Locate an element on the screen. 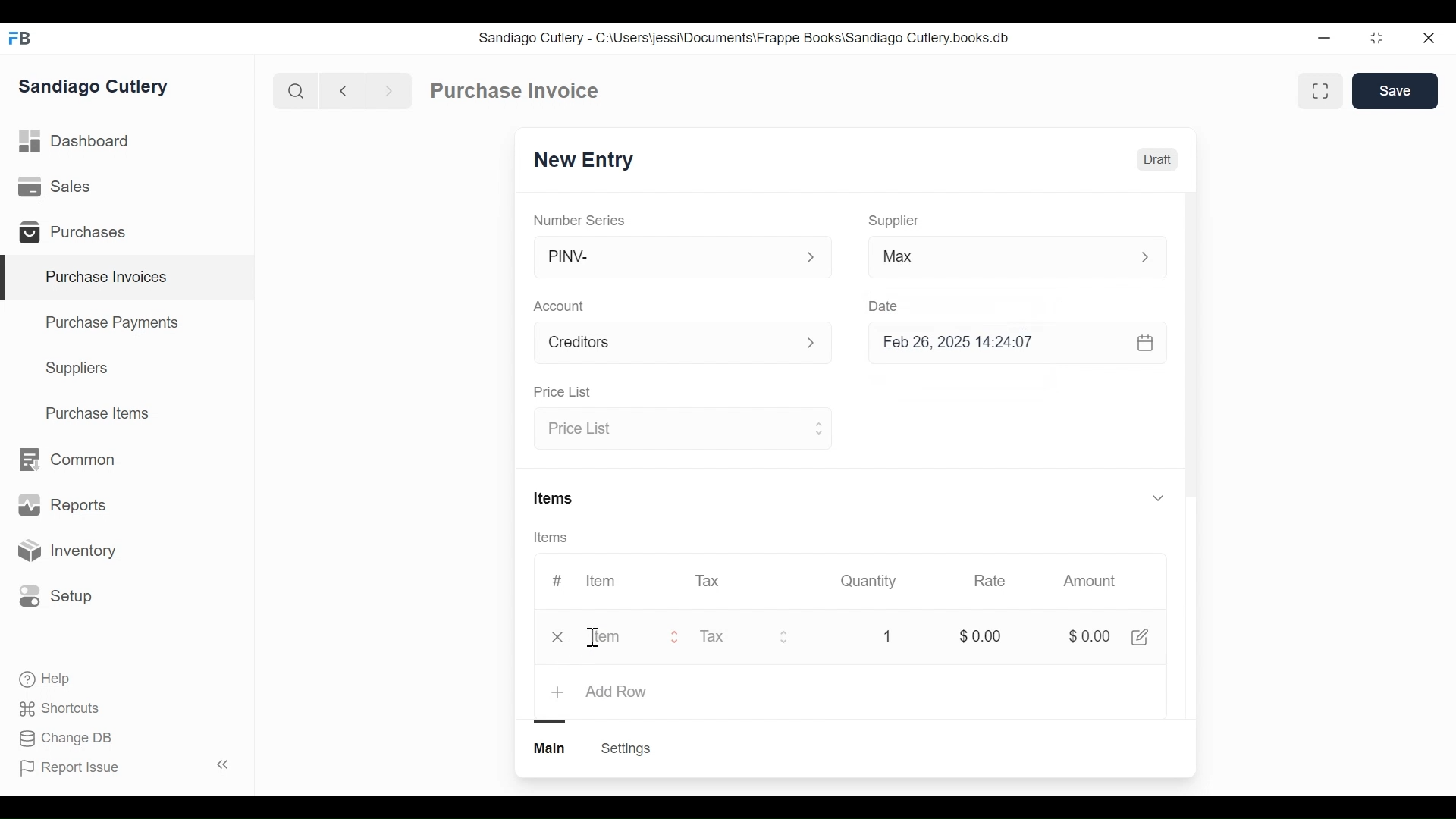 The width and height of the screenshot is (1456, 819). Expand is located at coordinates (676, 638).